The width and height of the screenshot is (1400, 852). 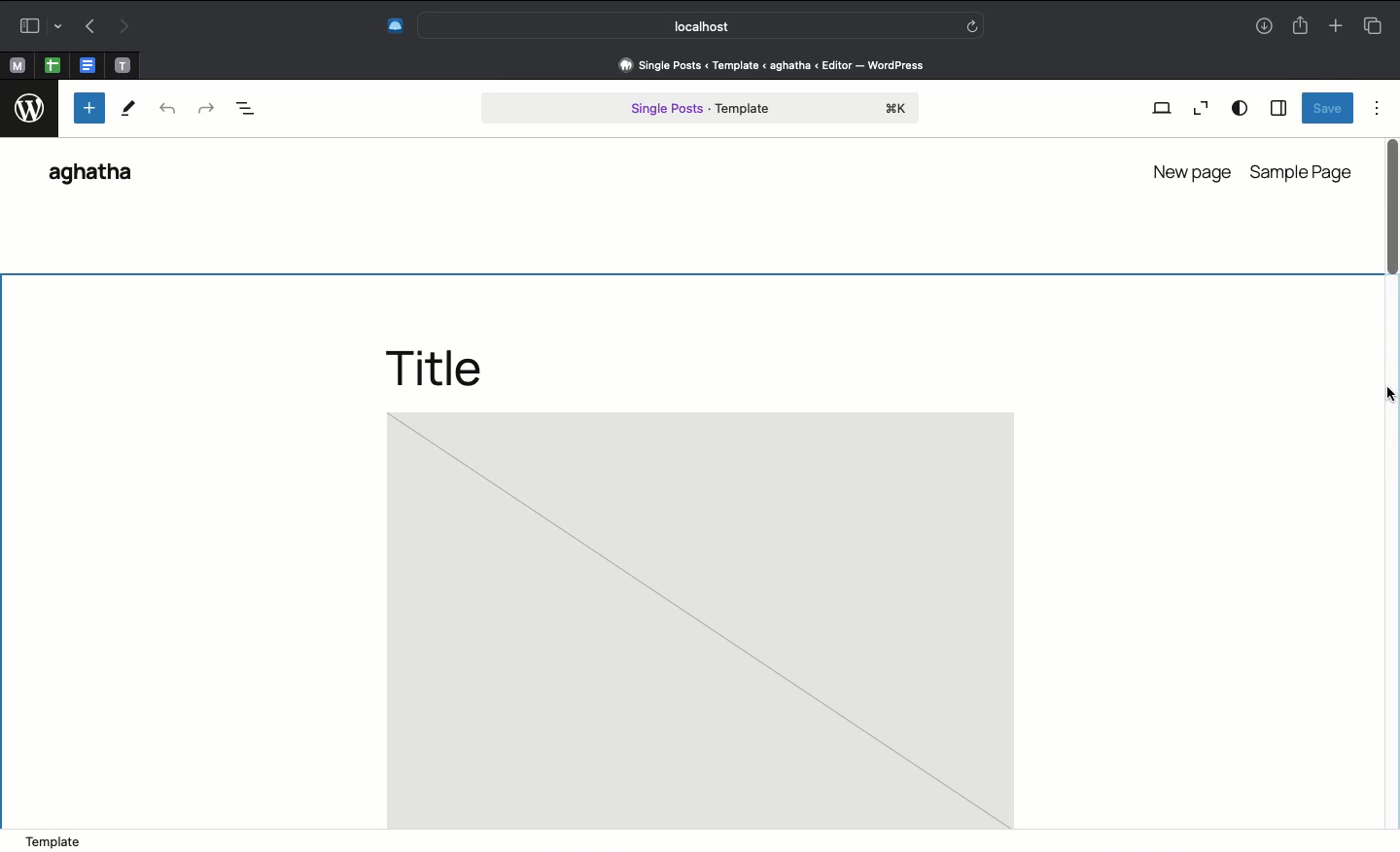 I want to click on Sample page, so click(x=1304, y=170).